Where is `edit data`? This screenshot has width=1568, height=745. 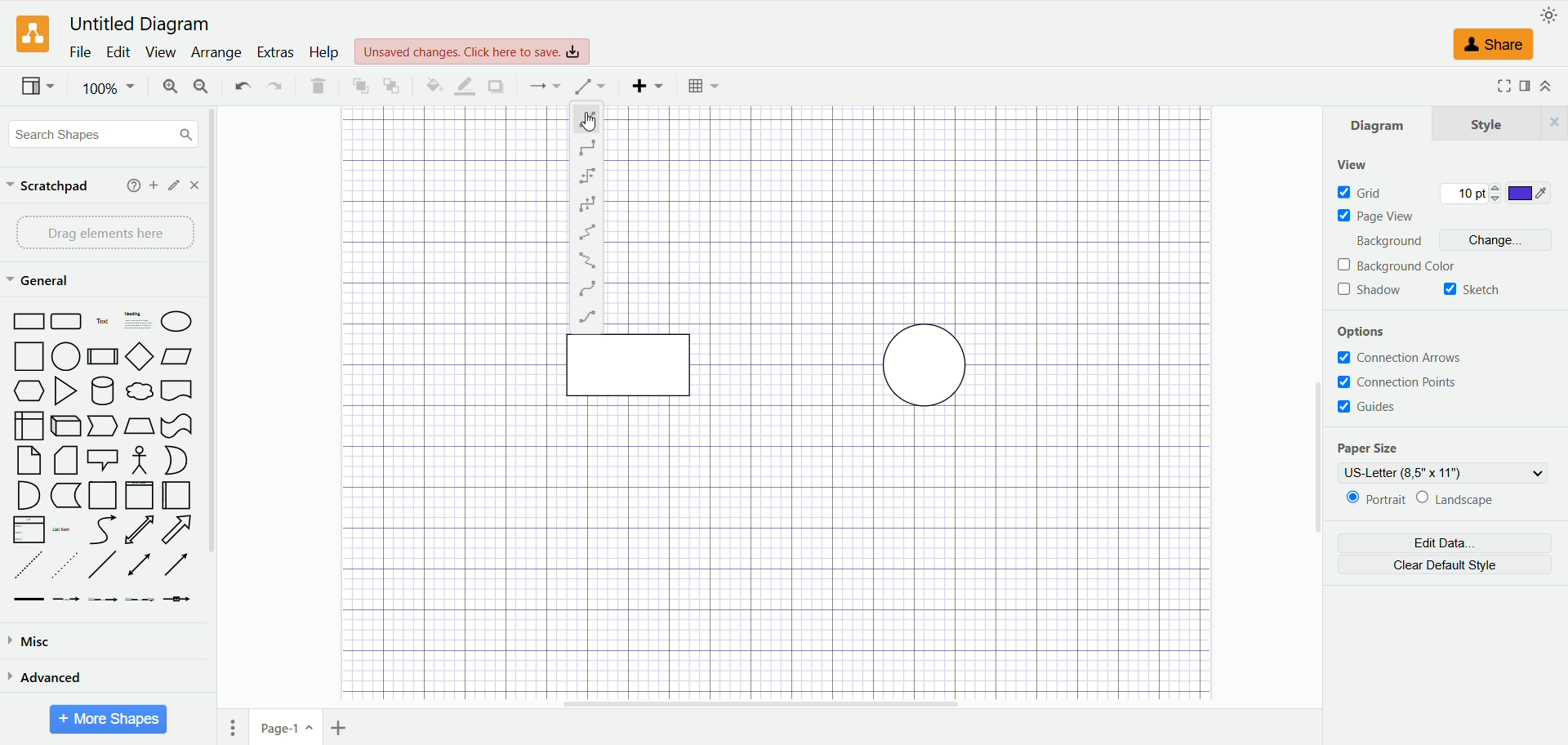
edit data is located at coordinates (1447, 542).